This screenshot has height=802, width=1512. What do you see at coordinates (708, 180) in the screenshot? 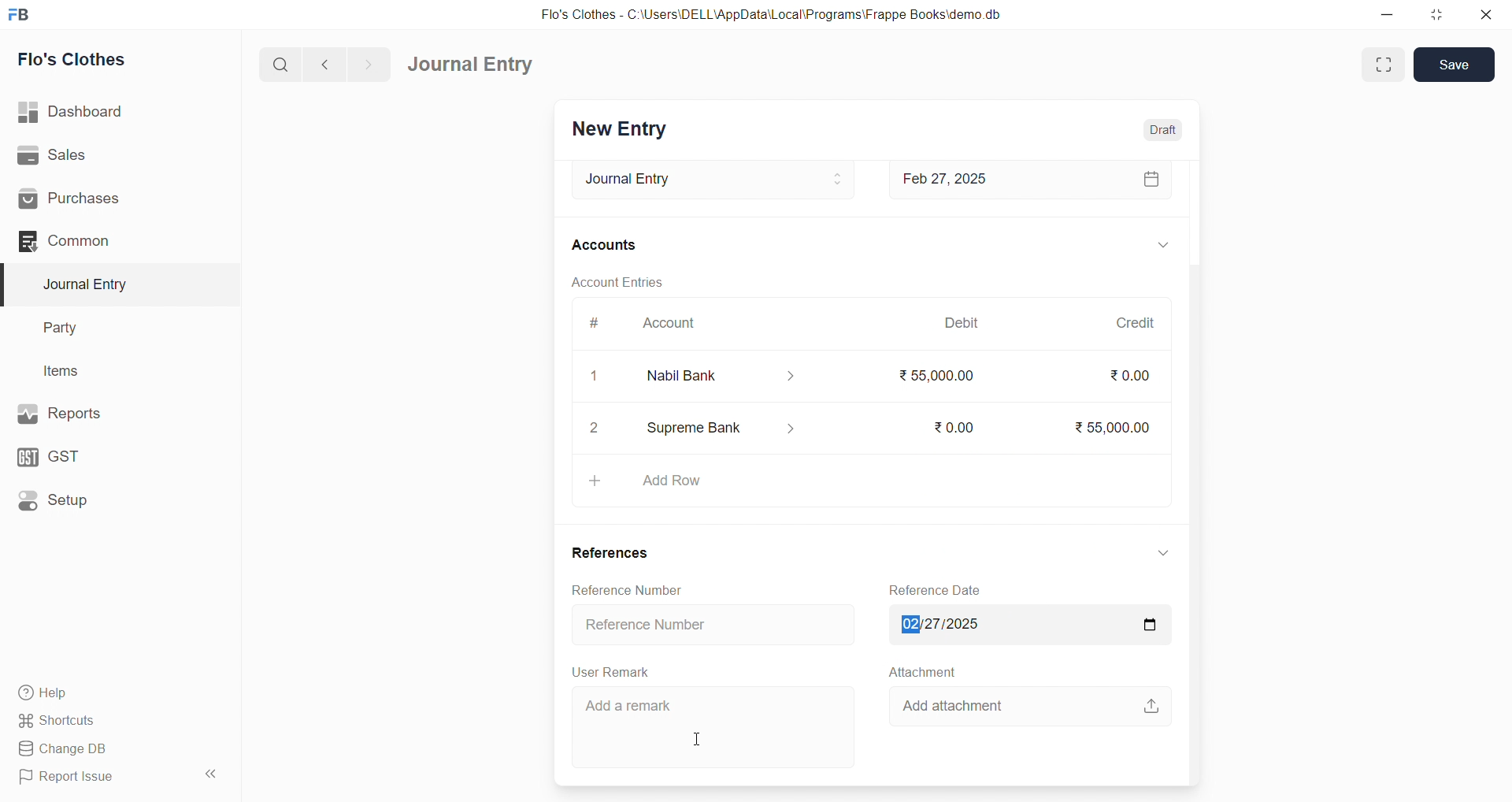
I see `Journal Entry` at bounding box center [708, 180].